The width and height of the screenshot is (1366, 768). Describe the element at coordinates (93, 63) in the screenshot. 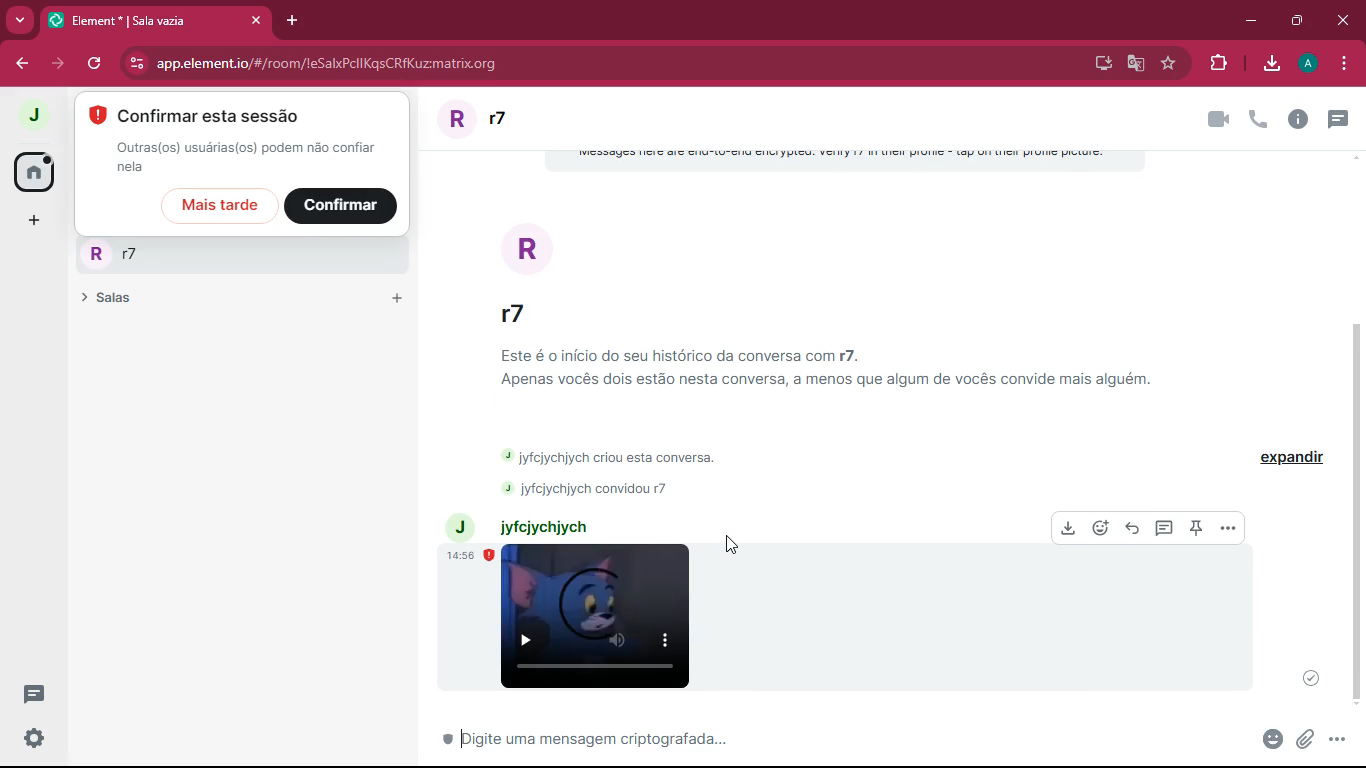

I see `refresh` at that location.